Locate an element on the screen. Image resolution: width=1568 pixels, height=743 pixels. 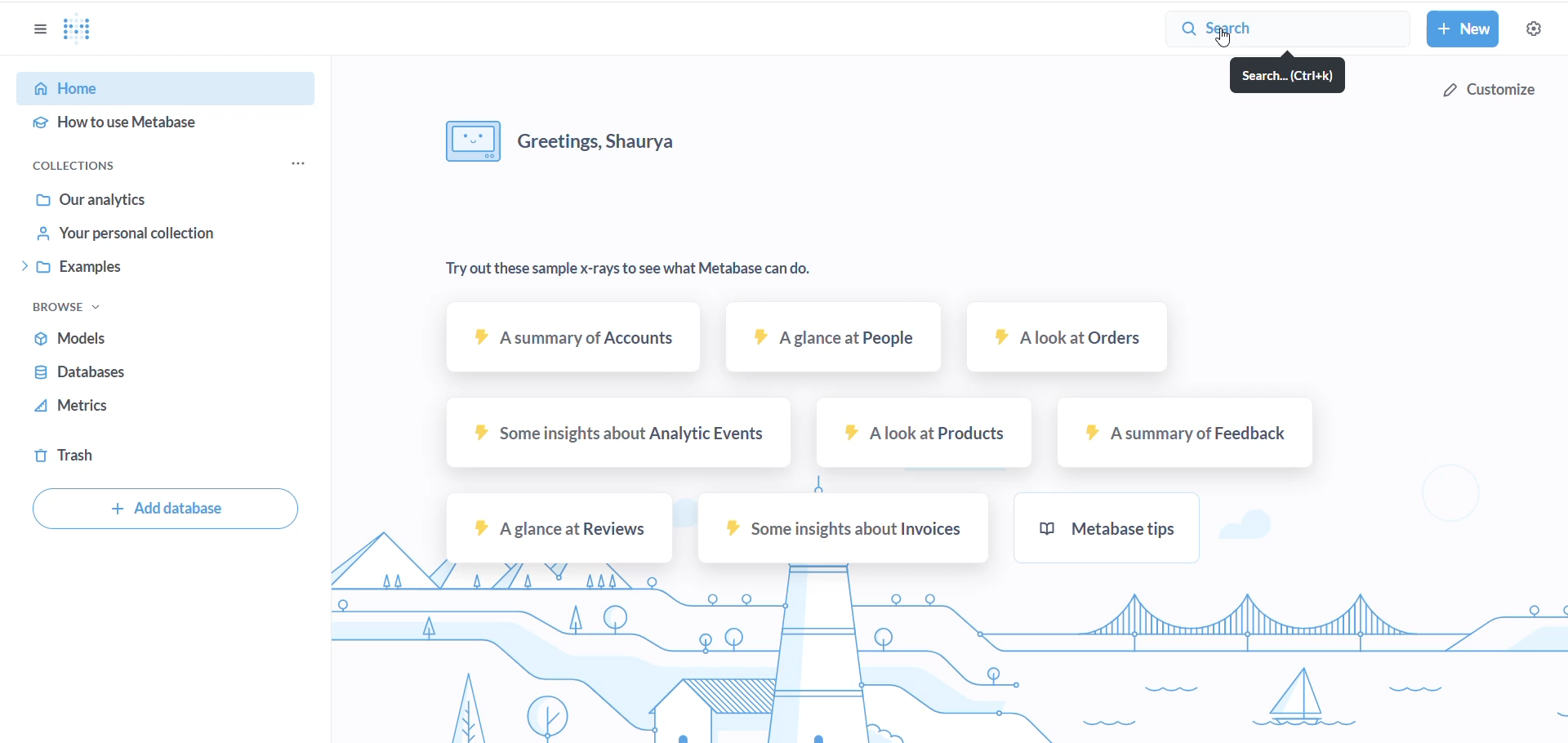
SEARCH BUTTON is located at coordinates (1287, 29).